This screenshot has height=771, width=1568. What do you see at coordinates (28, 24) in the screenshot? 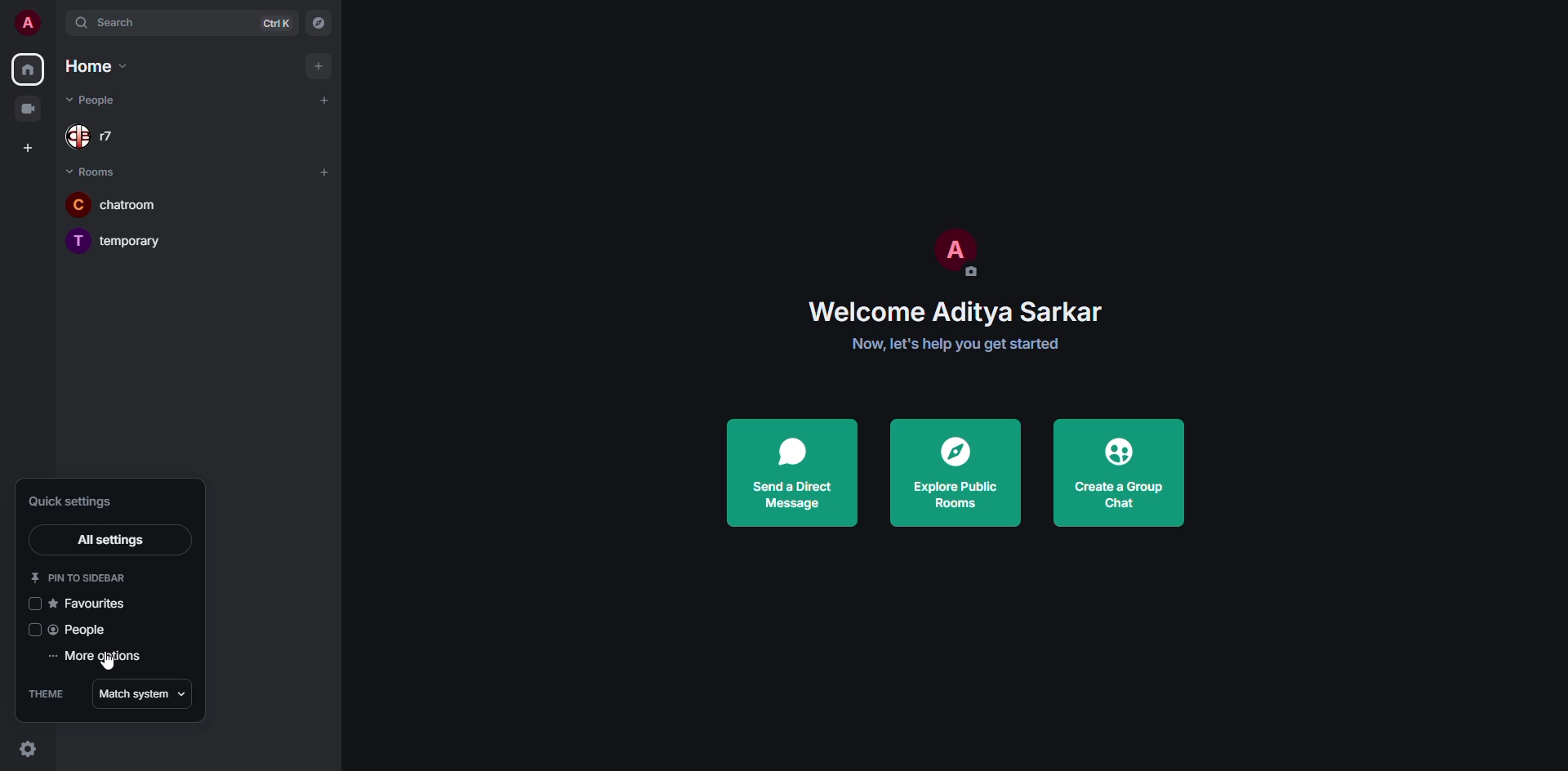
I see `profile` at bounding box center [28, 24].